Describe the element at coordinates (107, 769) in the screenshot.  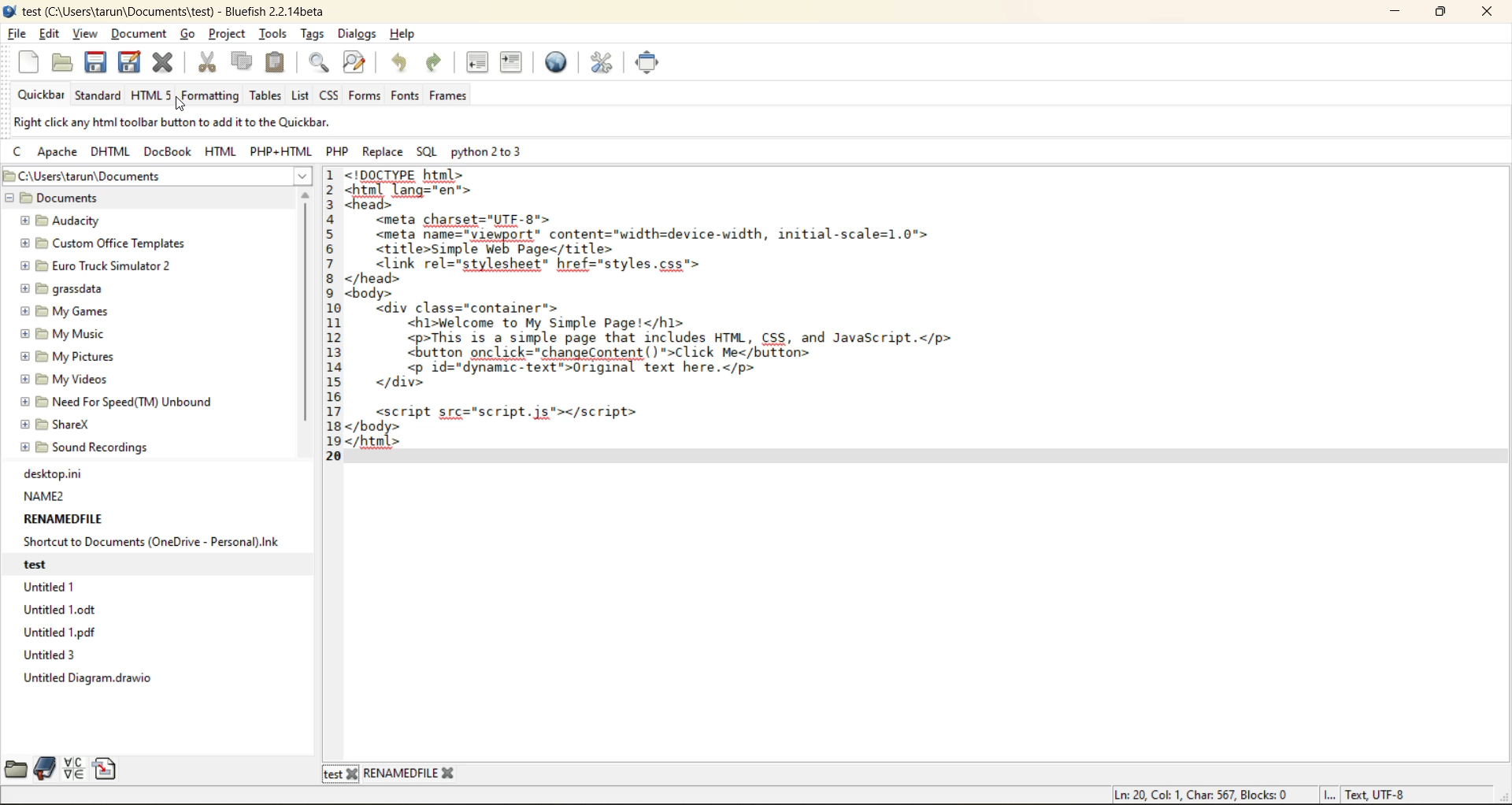
I see `snippets` at that location.